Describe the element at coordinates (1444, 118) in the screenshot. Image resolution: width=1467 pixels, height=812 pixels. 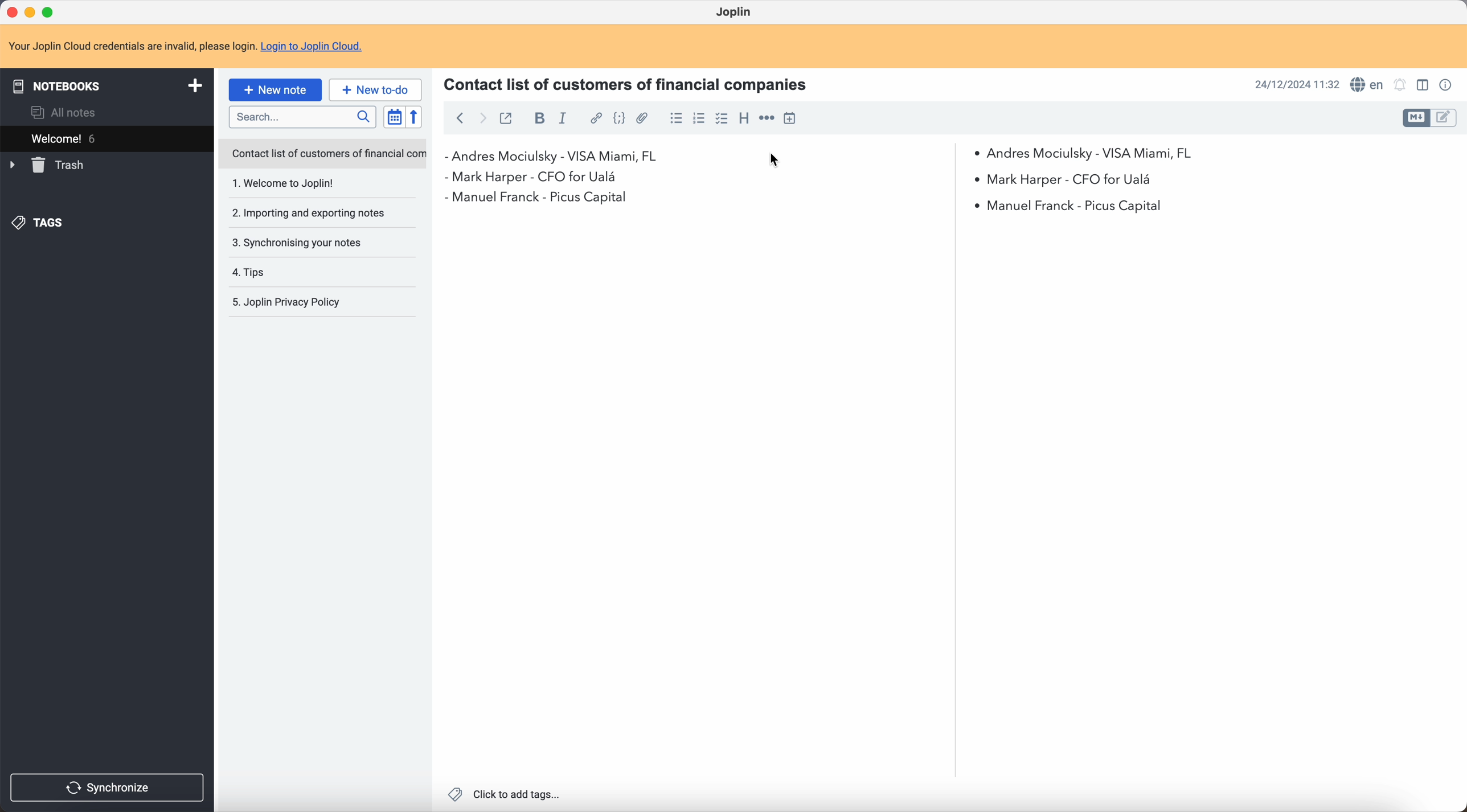
I see `toggle edit layout` at that location.